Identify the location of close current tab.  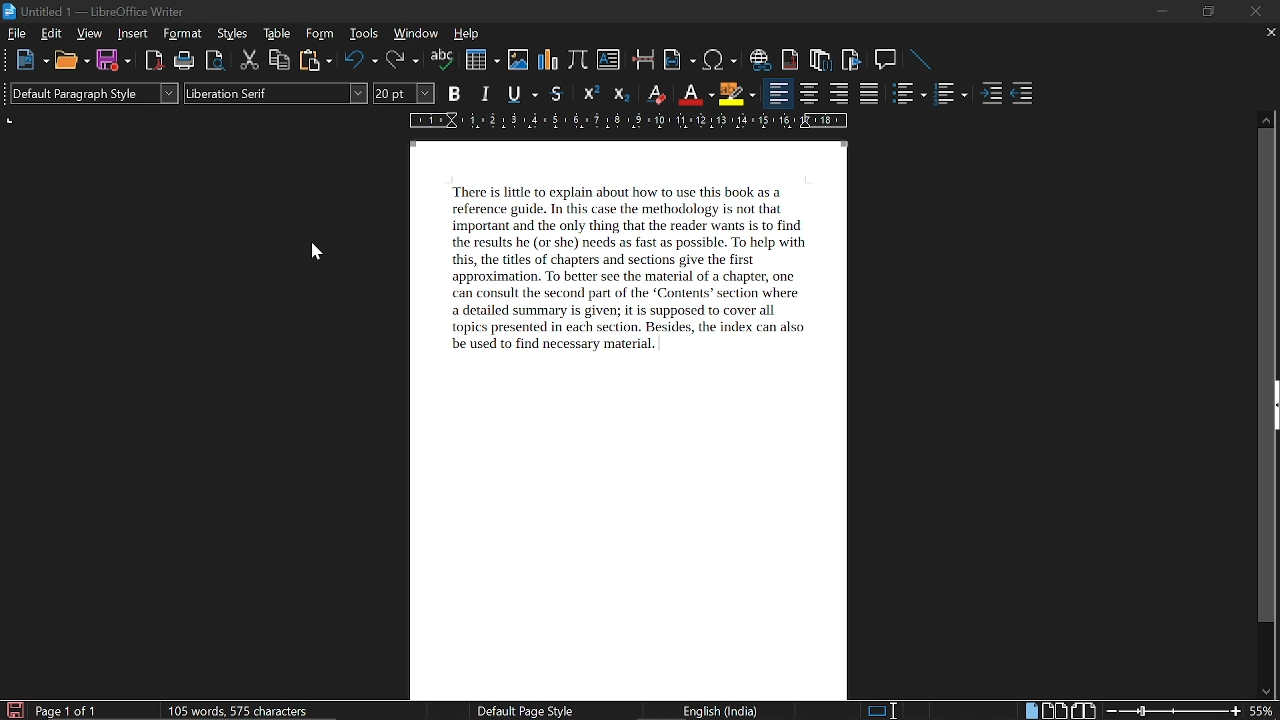
(1266, 33).